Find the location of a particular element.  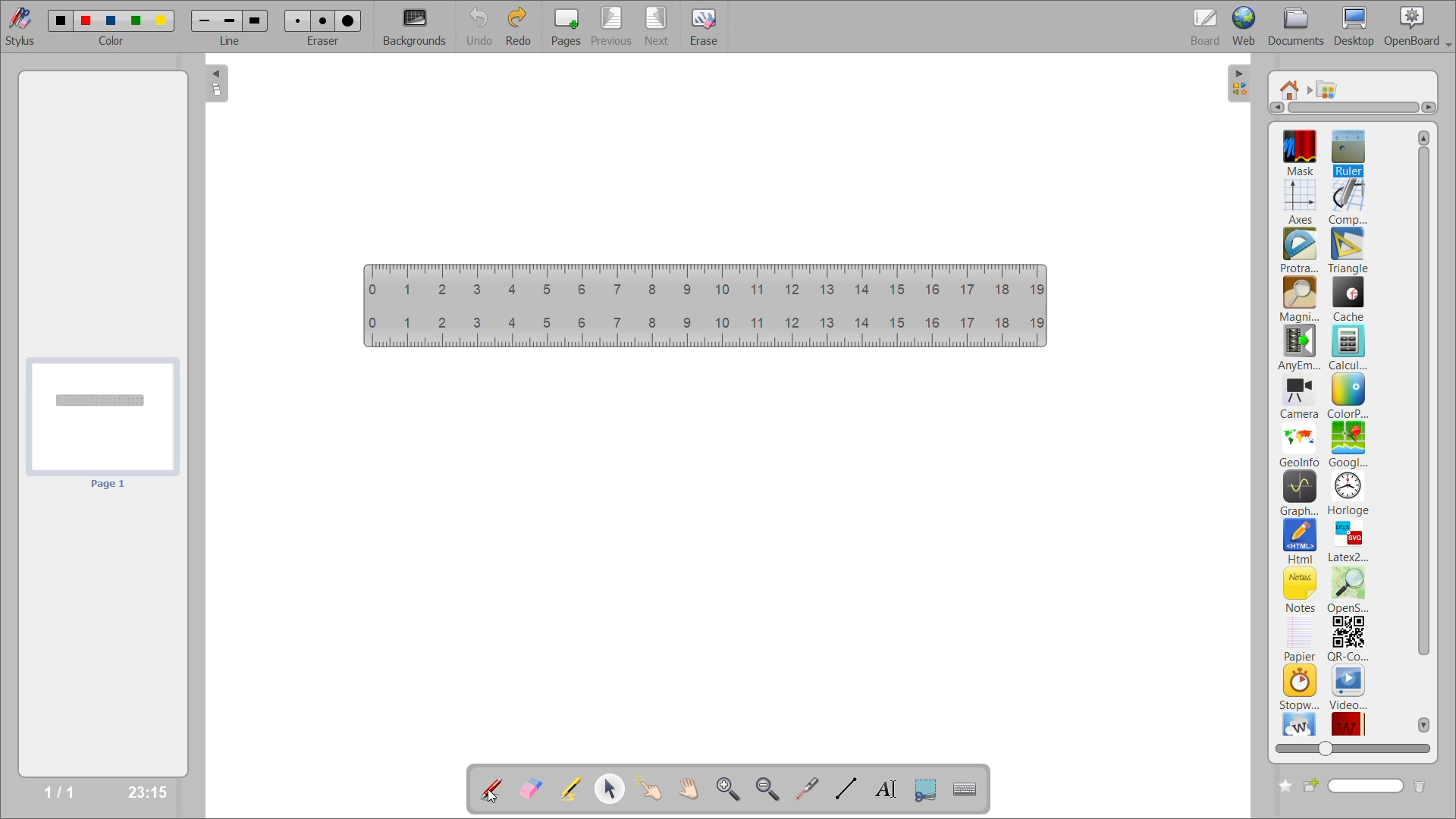

magnifier is located at coordinates (1299, 300).